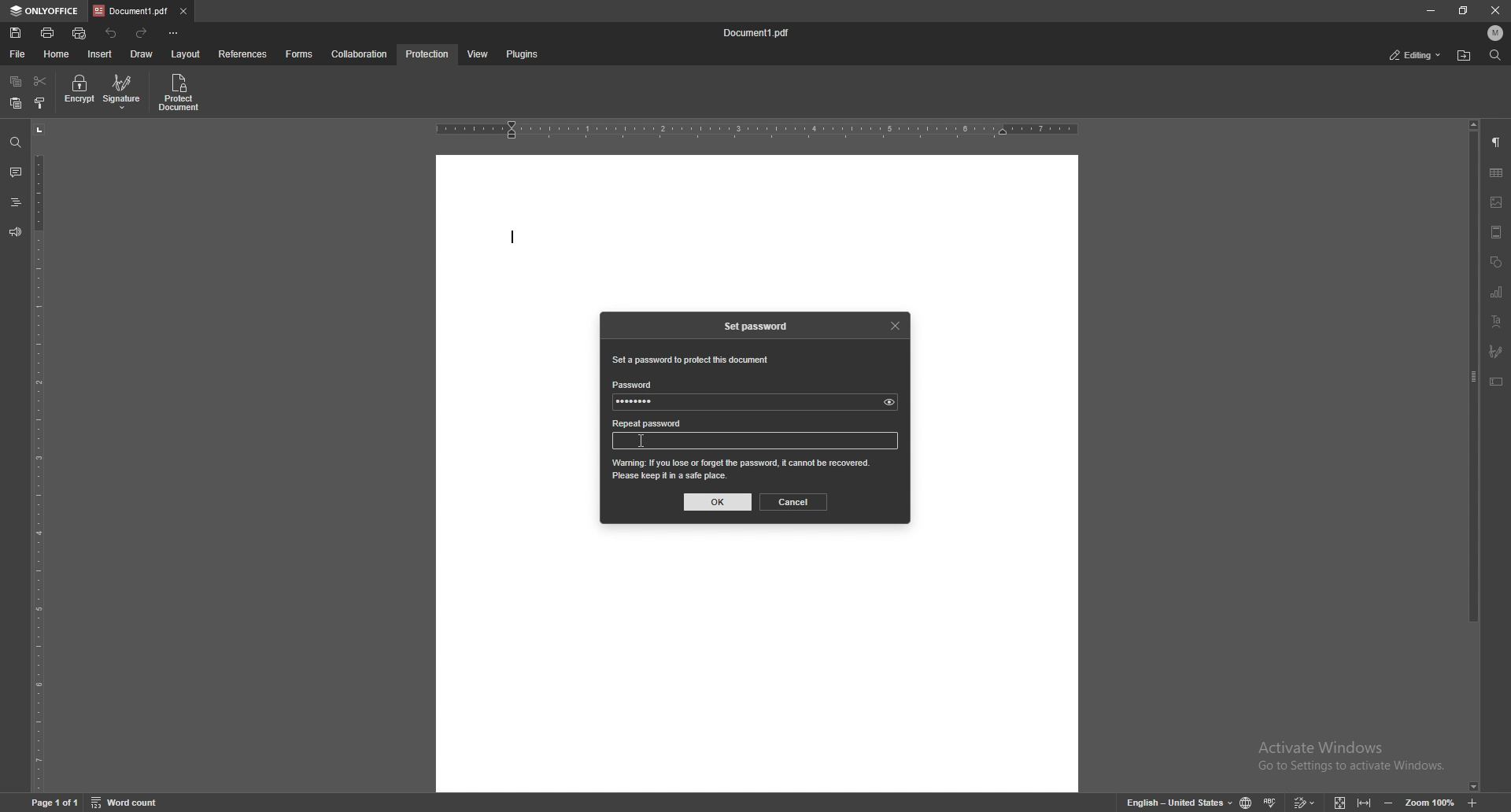  Describe the element at coordinates (300, 54) in the screenshot. I see `forms` at that location.